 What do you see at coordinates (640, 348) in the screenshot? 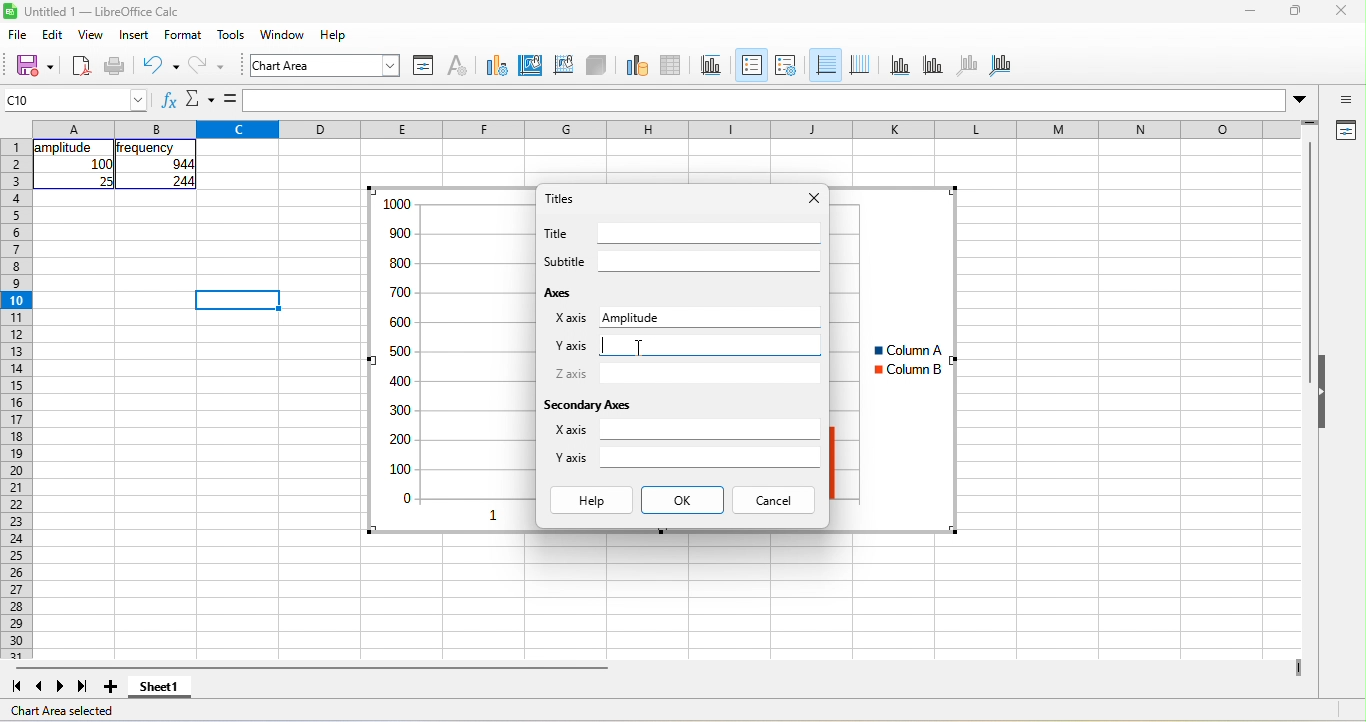
I see `Cursor` at bounding box center [640, 348].